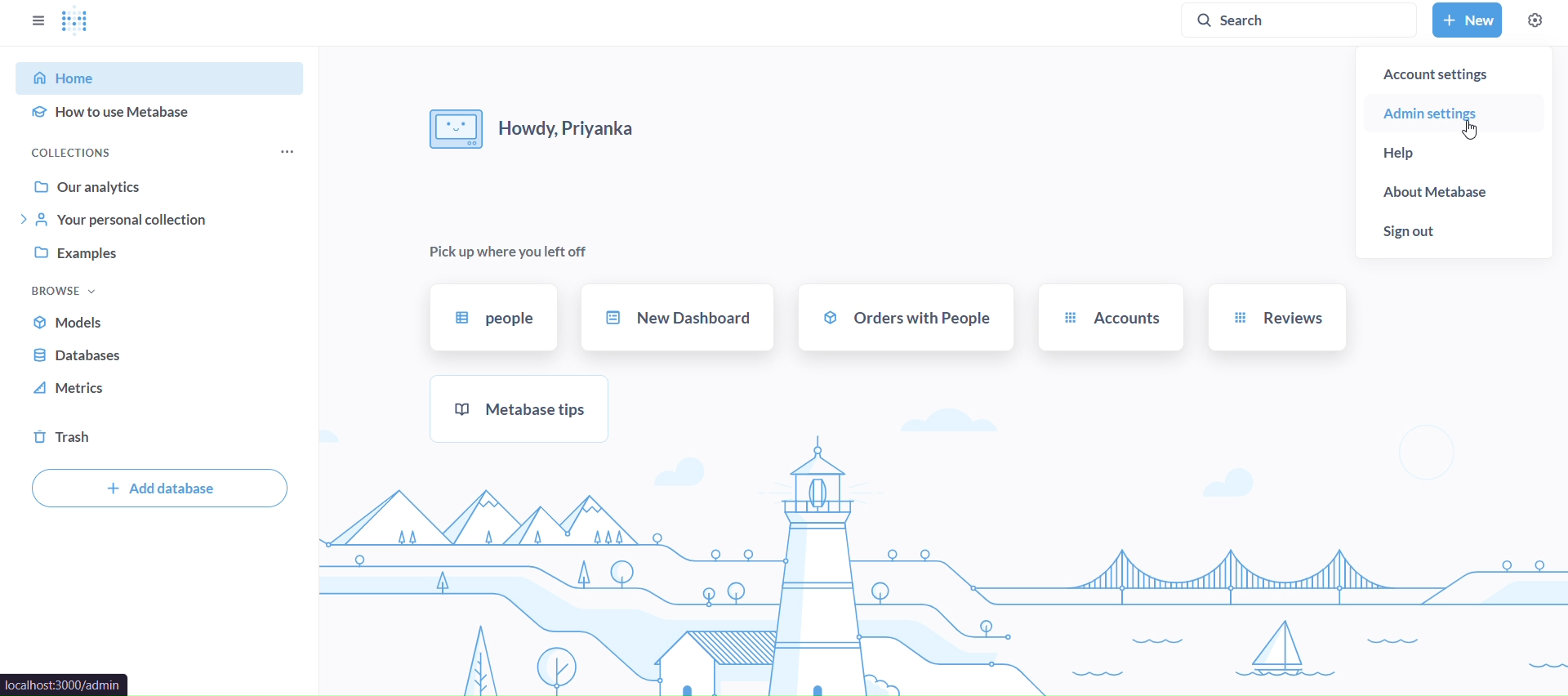 The image size is (1568, 696). Describe the element at coordinates (906, 317) in the screenshot. I see `orders with people` at that location.